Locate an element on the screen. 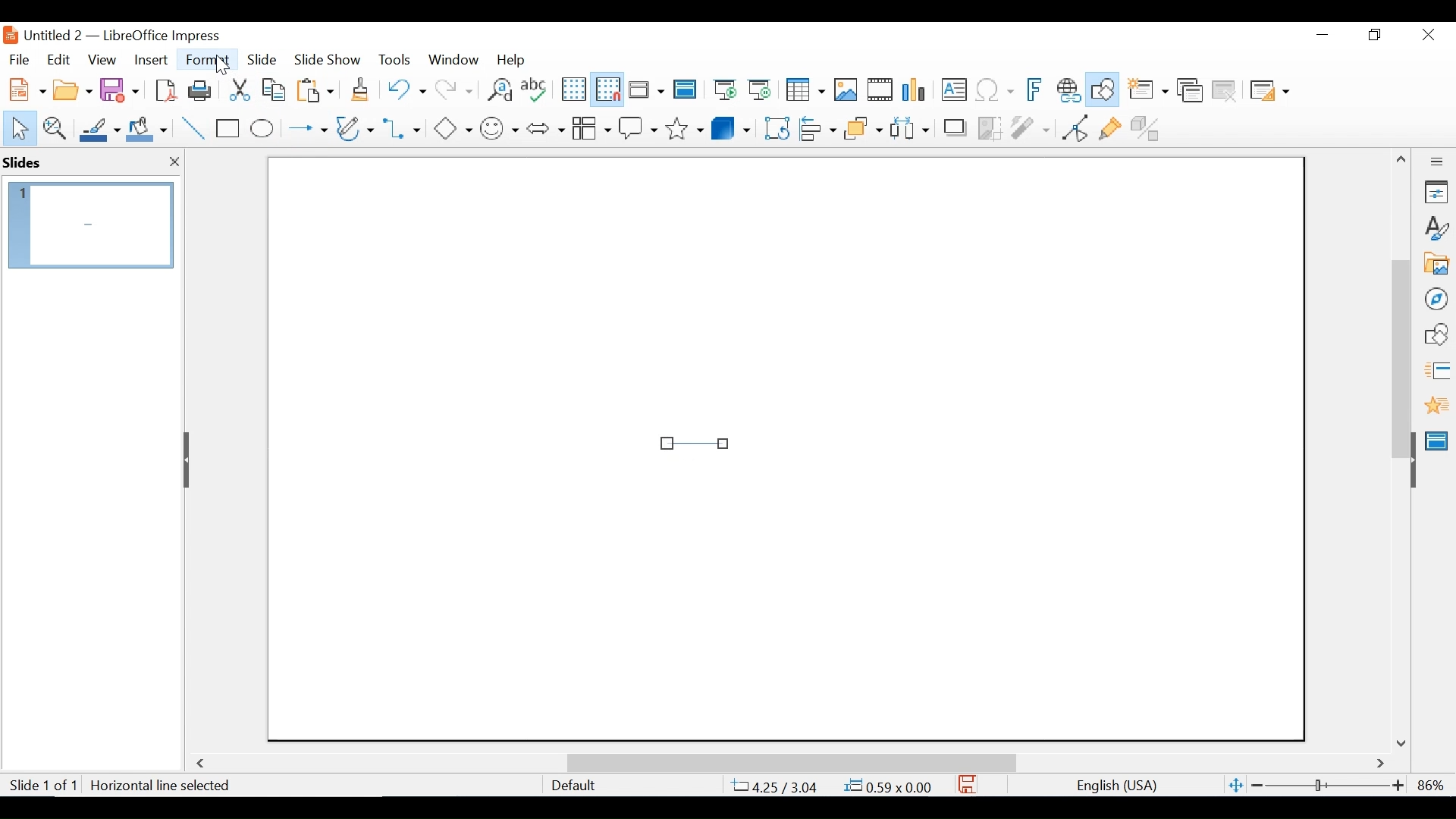 The image size is (1456, 819). Duplicate slide is located at coordinates (1190, 91).